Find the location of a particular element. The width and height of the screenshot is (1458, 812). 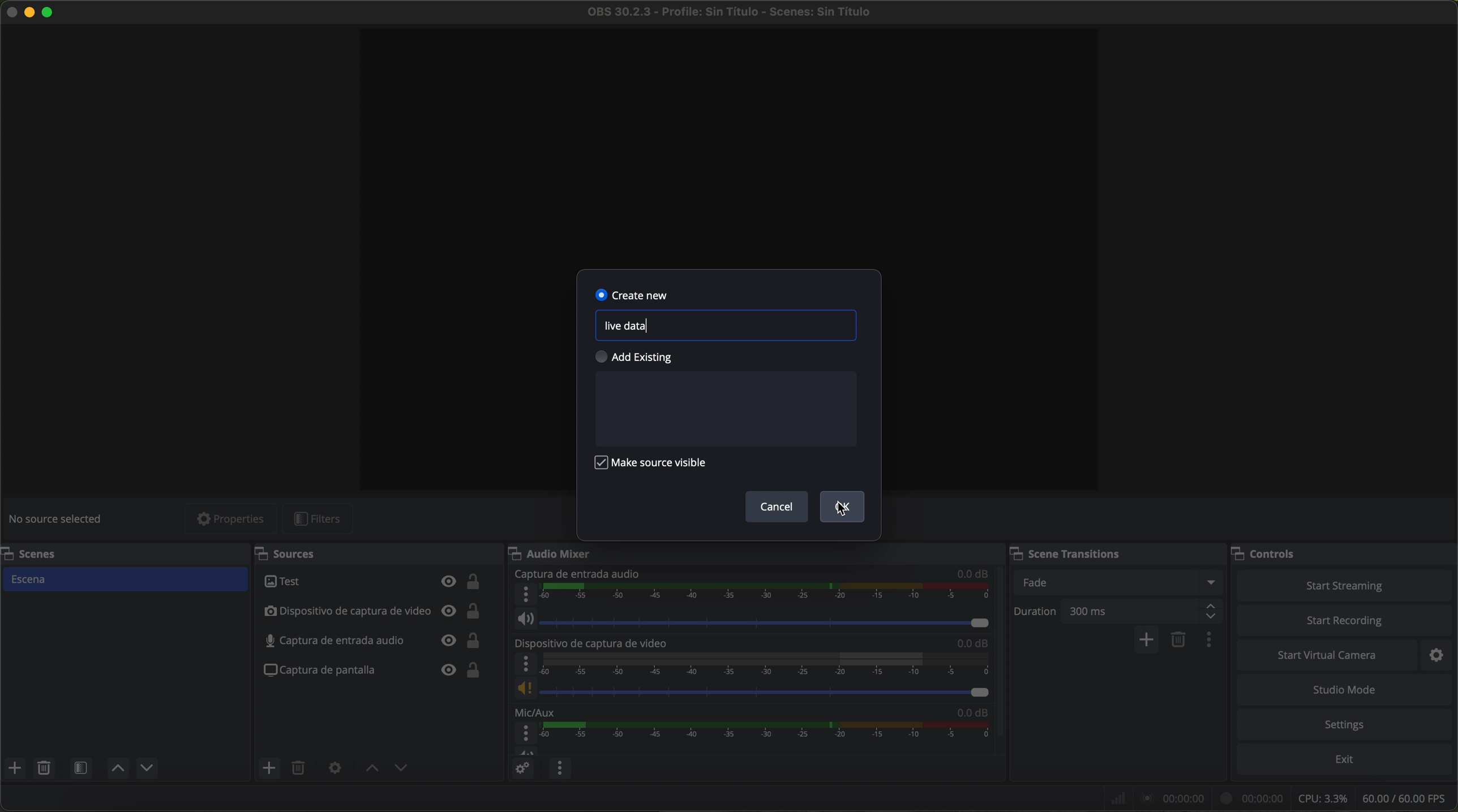

vol is located at coordinates (756, 620).